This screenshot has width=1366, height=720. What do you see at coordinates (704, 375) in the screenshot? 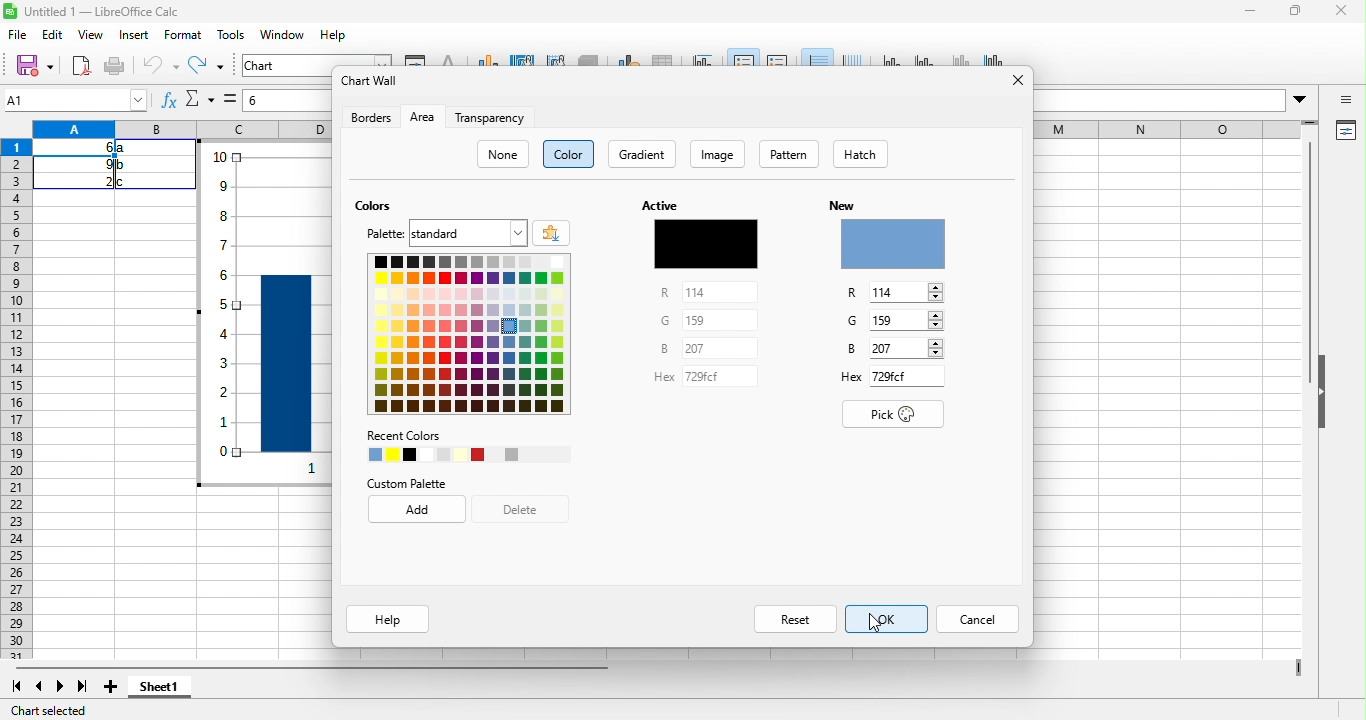
I see `729fd` at bounding box center [704, 375].